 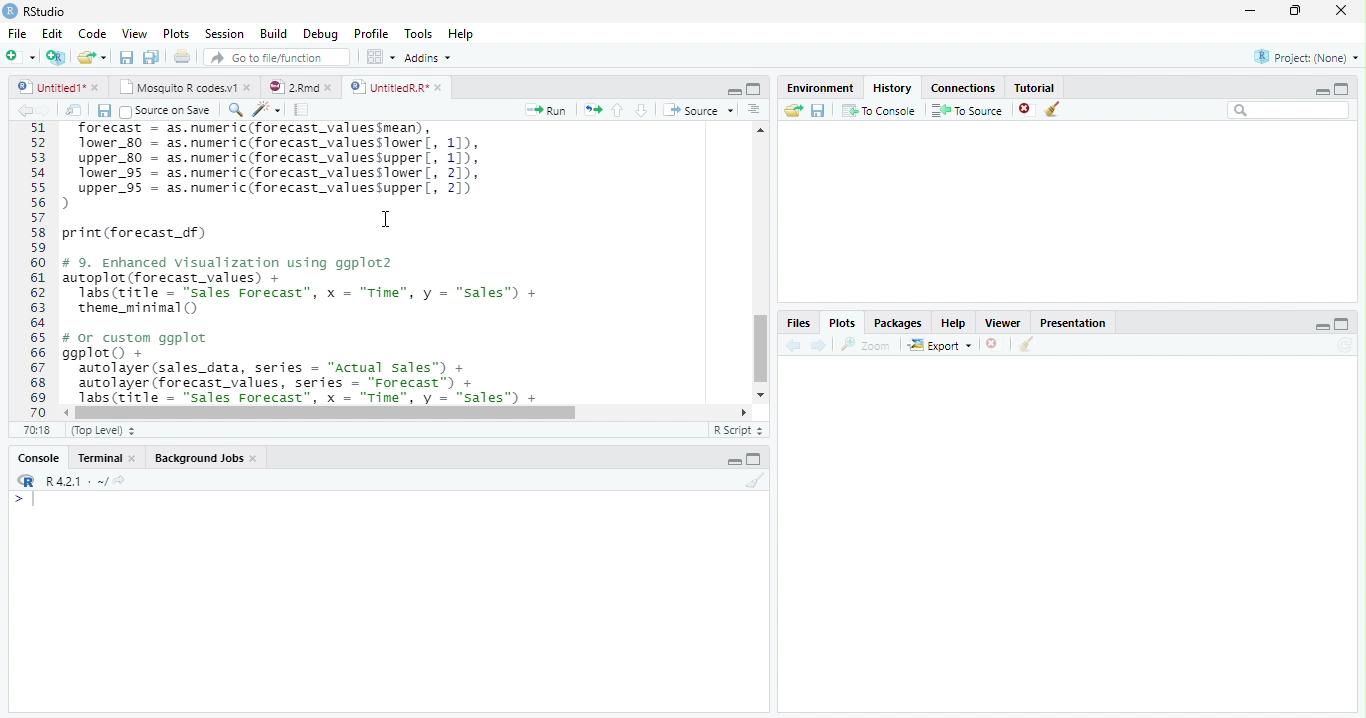 What do you see at coordinates (102, 110) in the screenshot?
I see `Save` at bounding box center [102, 110].